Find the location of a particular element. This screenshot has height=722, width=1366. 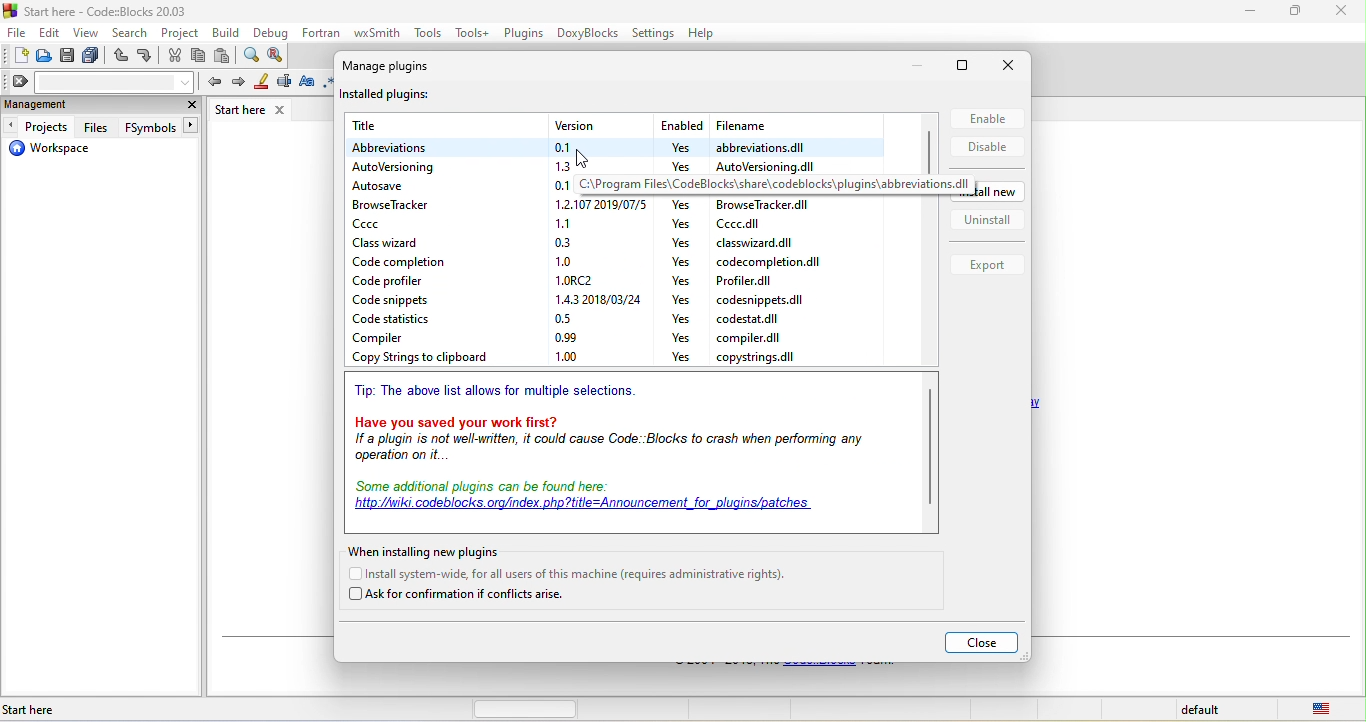

code statistics is located at coordinates (408, 319).